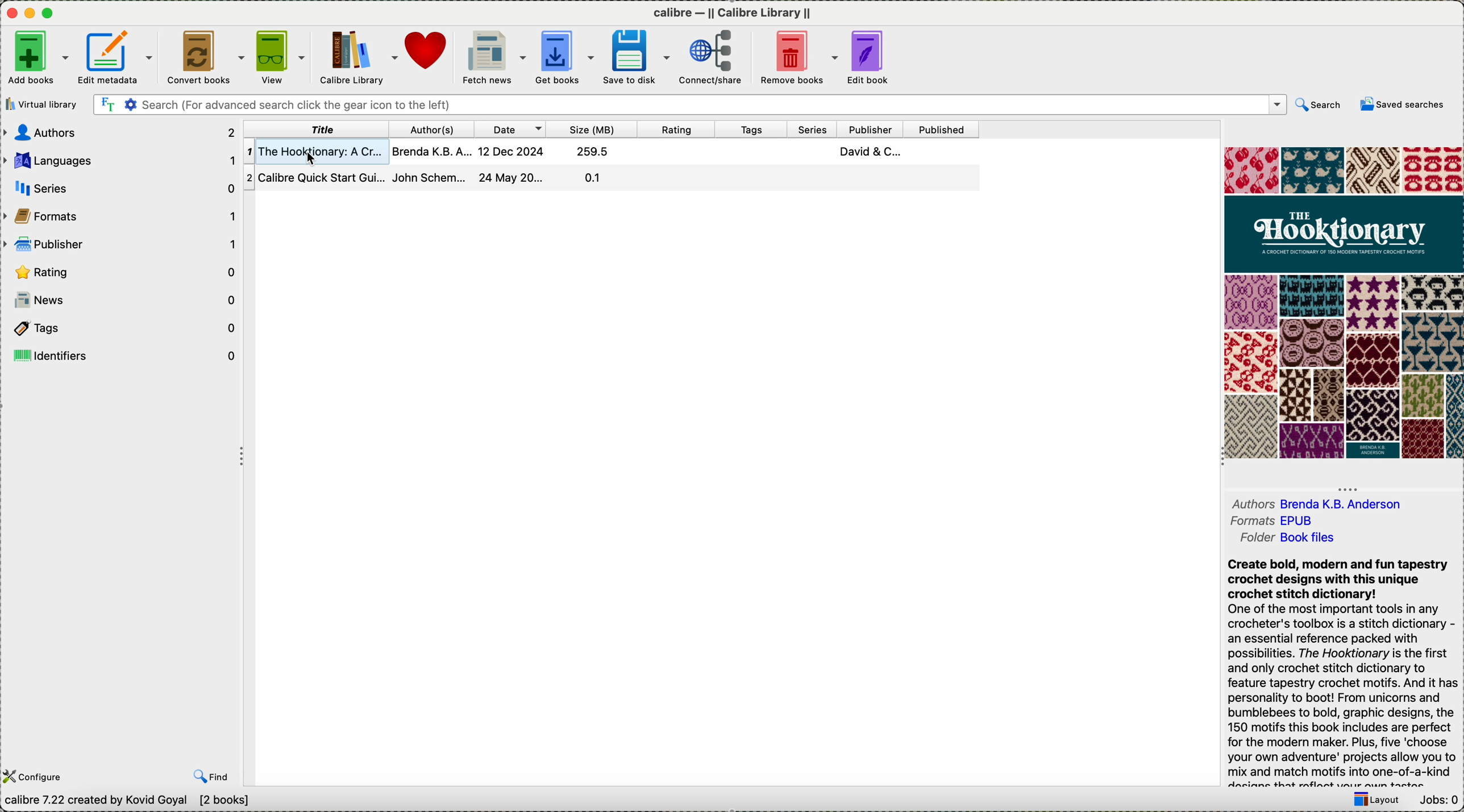 This screenshot has height=812, width=1464. I want to click on minimize program, so click(32, 14).